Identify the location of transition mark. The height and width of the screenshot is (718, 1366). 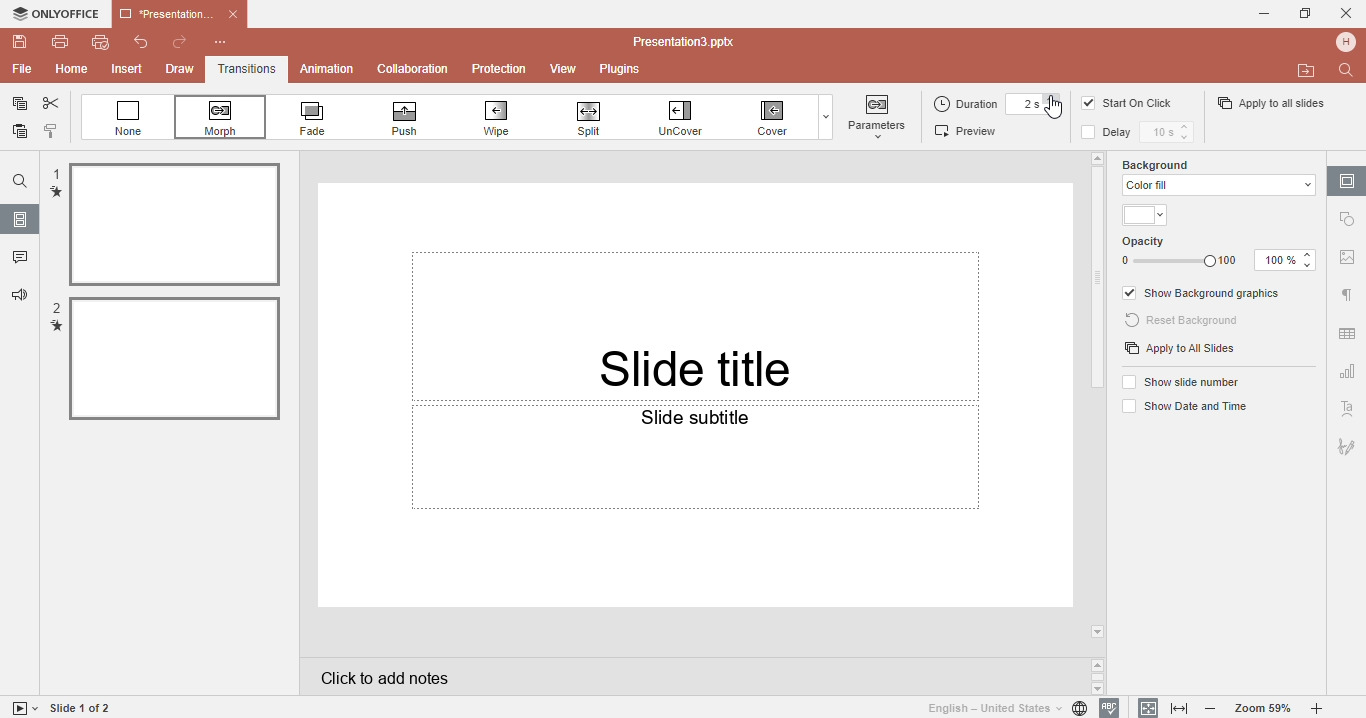
(56, 192).